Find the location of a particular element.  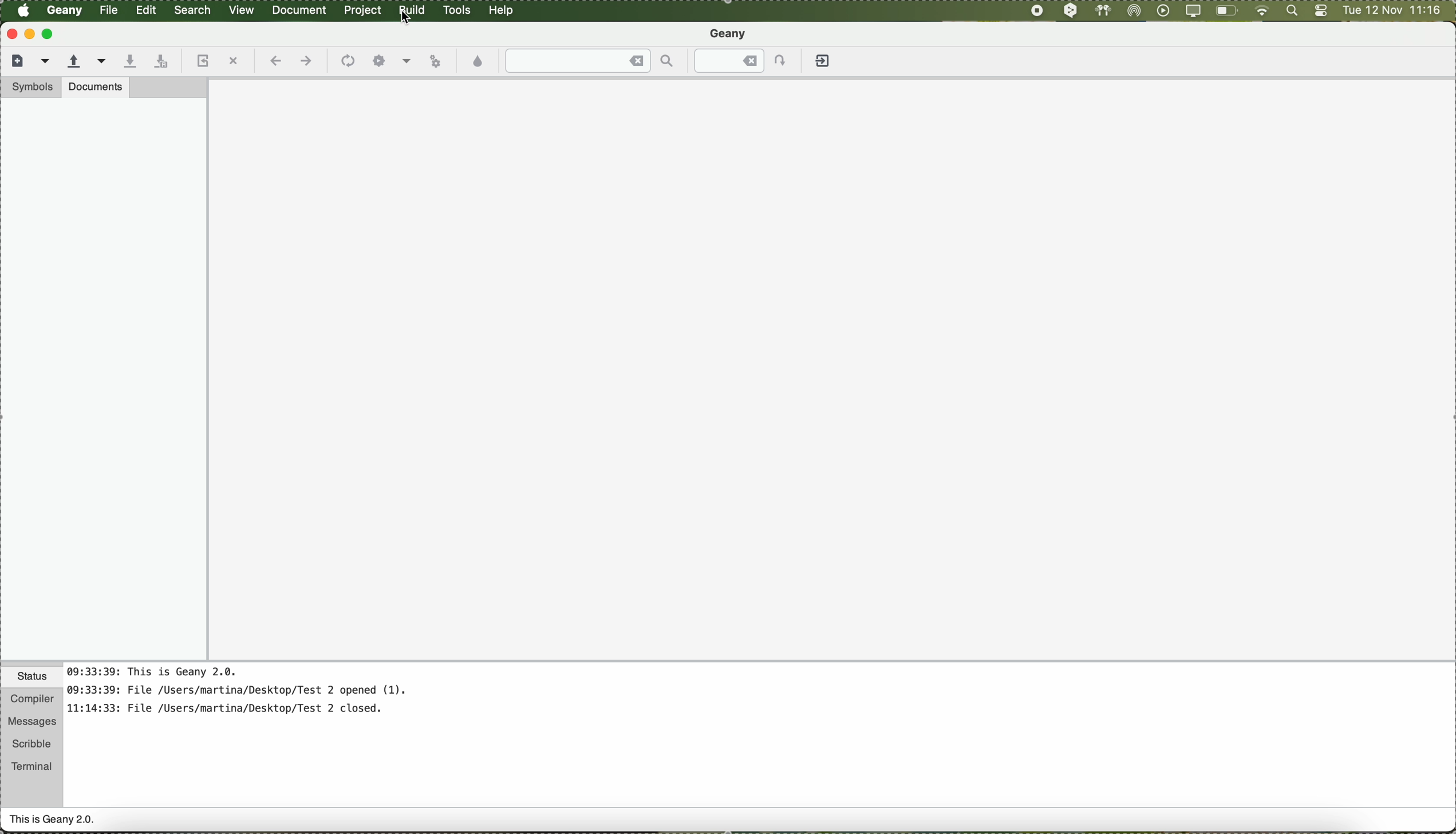

click on build is located at coordinates (413, 14).